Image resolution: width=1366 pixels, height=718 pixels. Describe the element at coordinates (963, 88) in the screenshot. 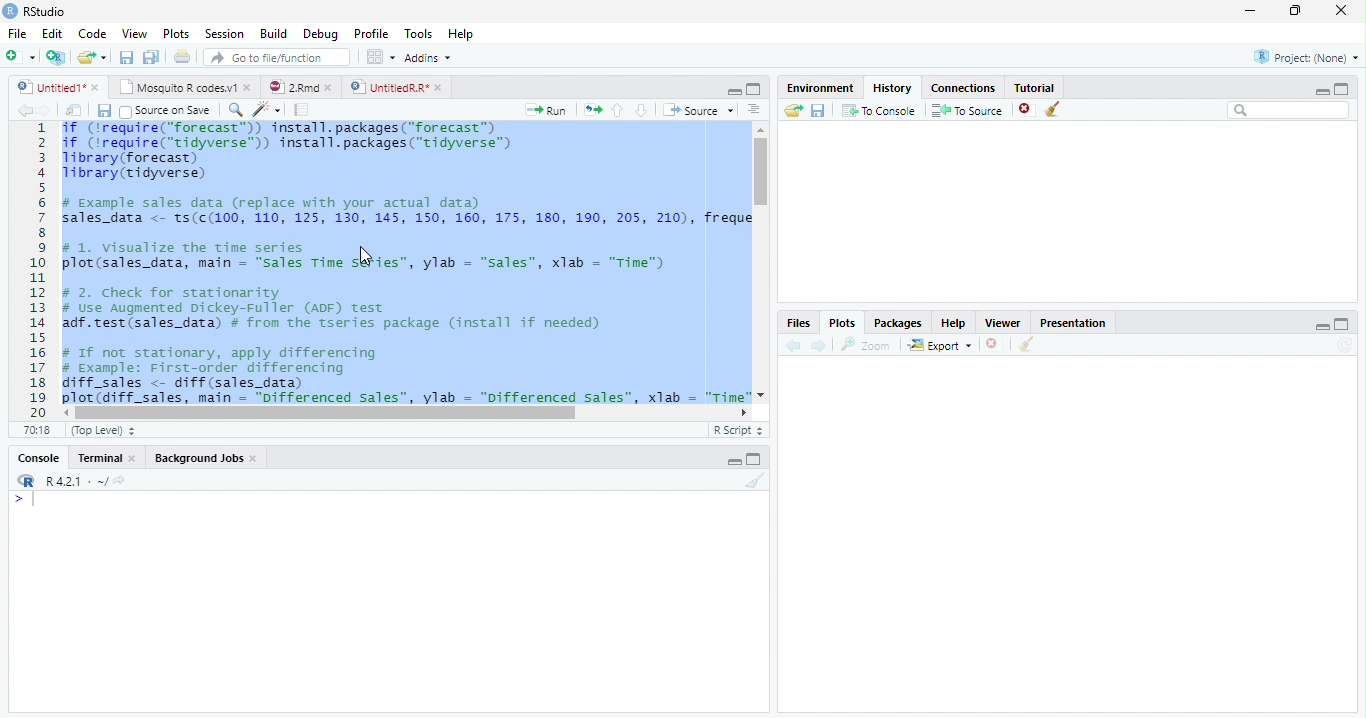

I see `Connections` at that location.